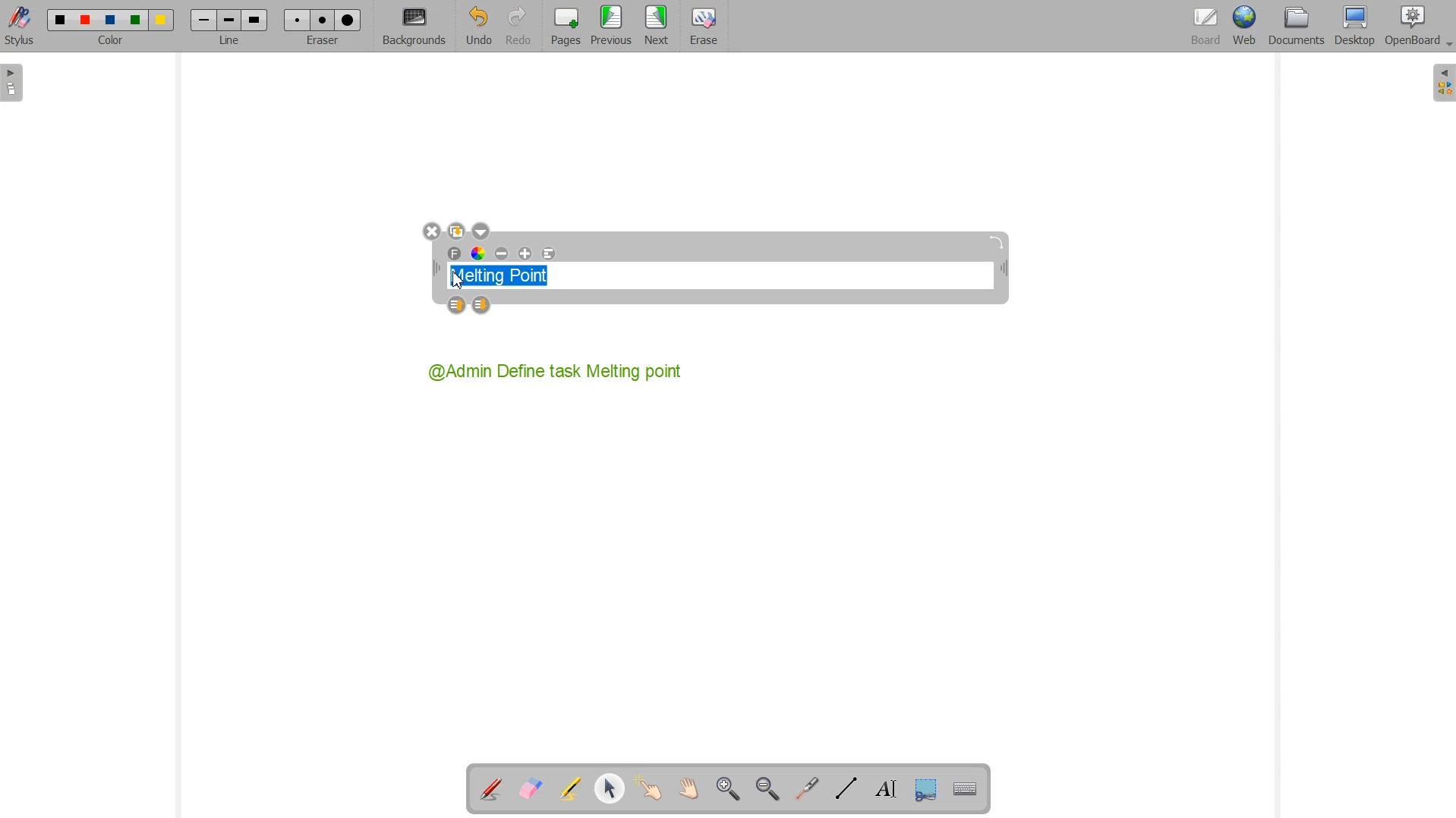 This screenshot has height=818, width=1456. What do you see at coordinates (113, 27) in the screenshot?
I see `Color` at bounding box center [113, 27].